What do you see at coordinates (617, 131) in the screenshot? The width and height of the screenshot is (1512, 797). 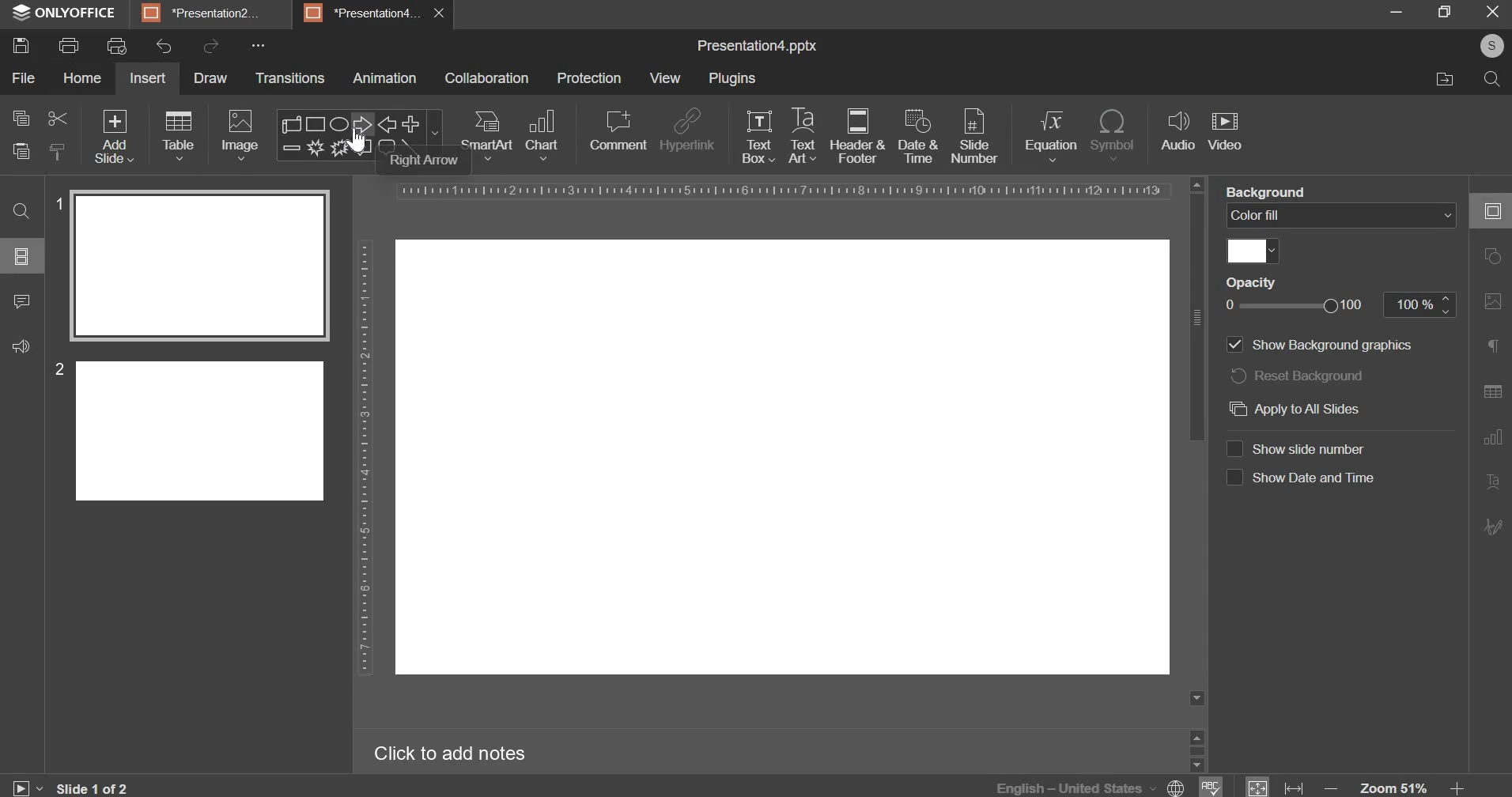 I see `comment` at bounding box center [617, 131].